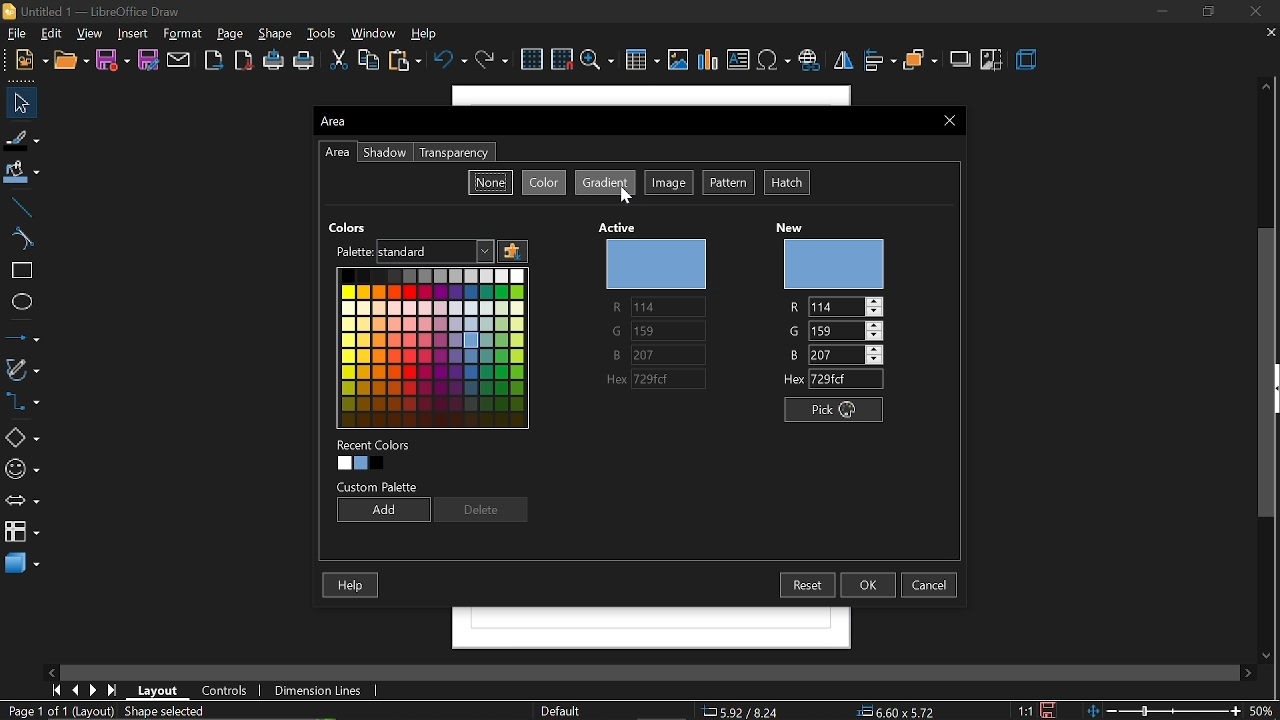  Describe the element at coordinates (1023, 710) in the screenshot. I see `scaling factor (1:1)` at that location.